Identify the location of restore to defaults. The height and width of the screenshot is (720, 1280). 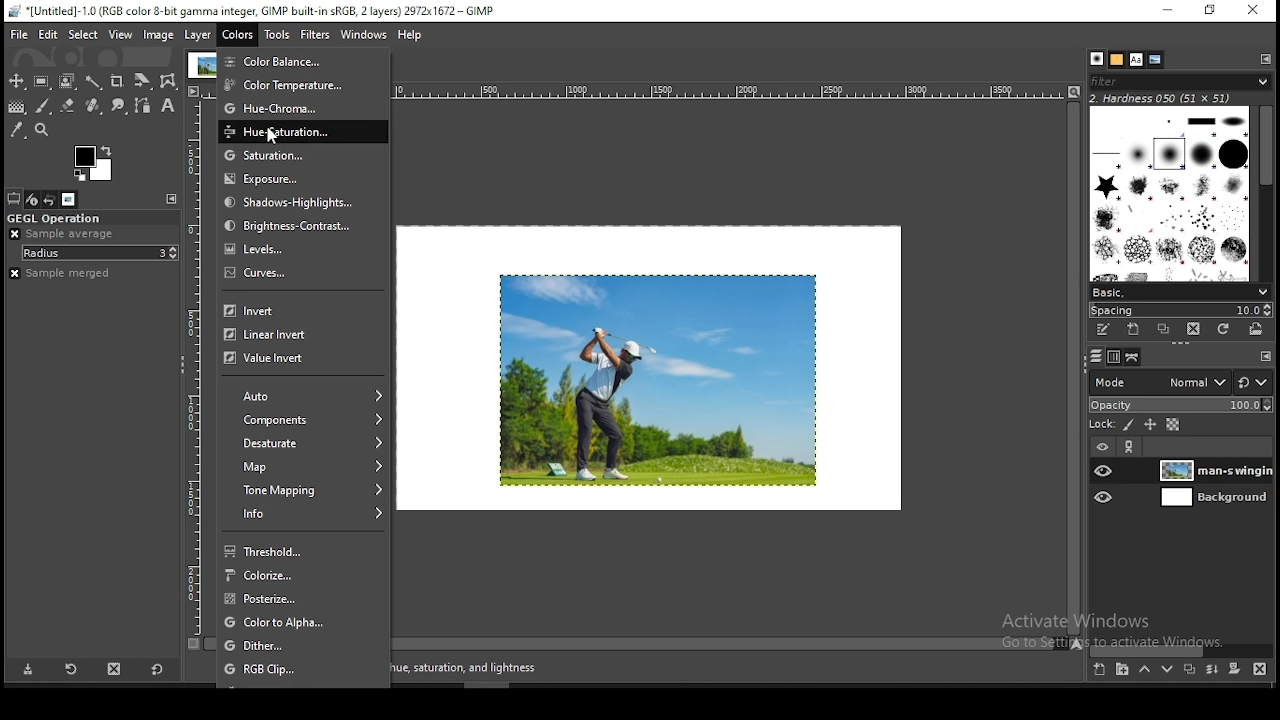
(156, 669).